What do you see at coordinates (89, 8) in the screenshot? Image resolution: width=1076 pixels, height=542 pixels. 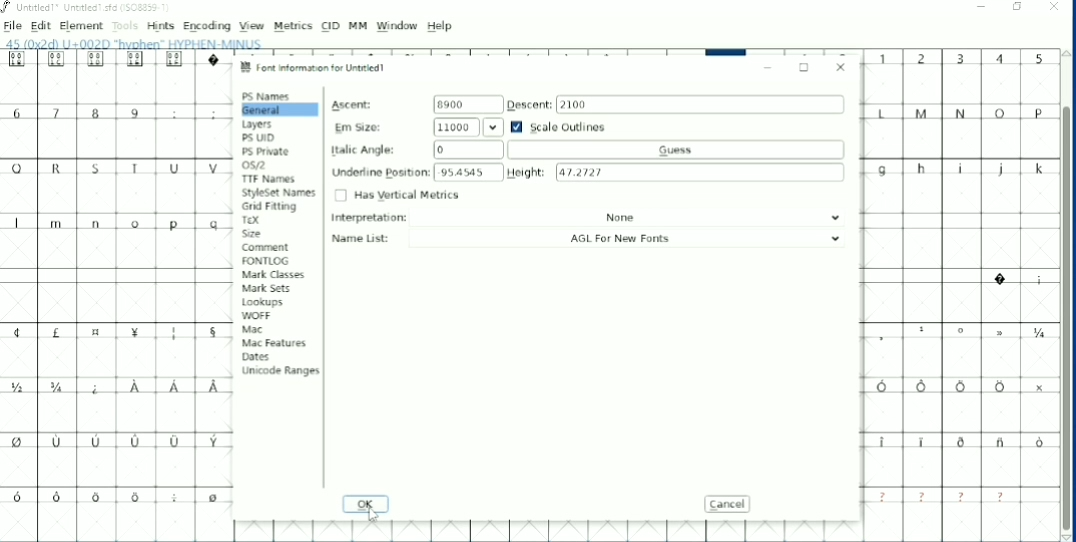 I see `Title ` at bounding box center [89, 8].